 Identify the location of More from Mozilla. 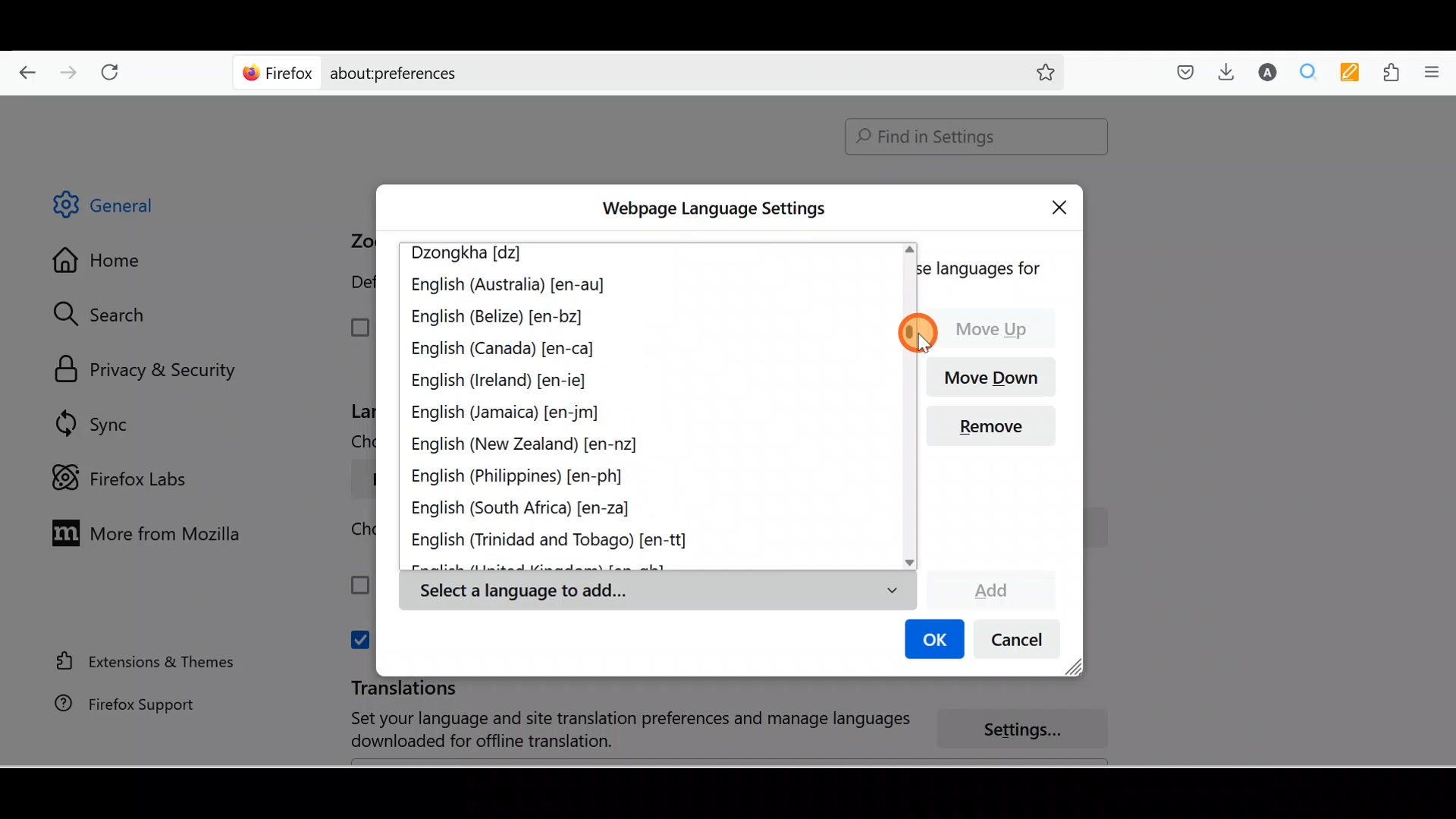
(142, 532).